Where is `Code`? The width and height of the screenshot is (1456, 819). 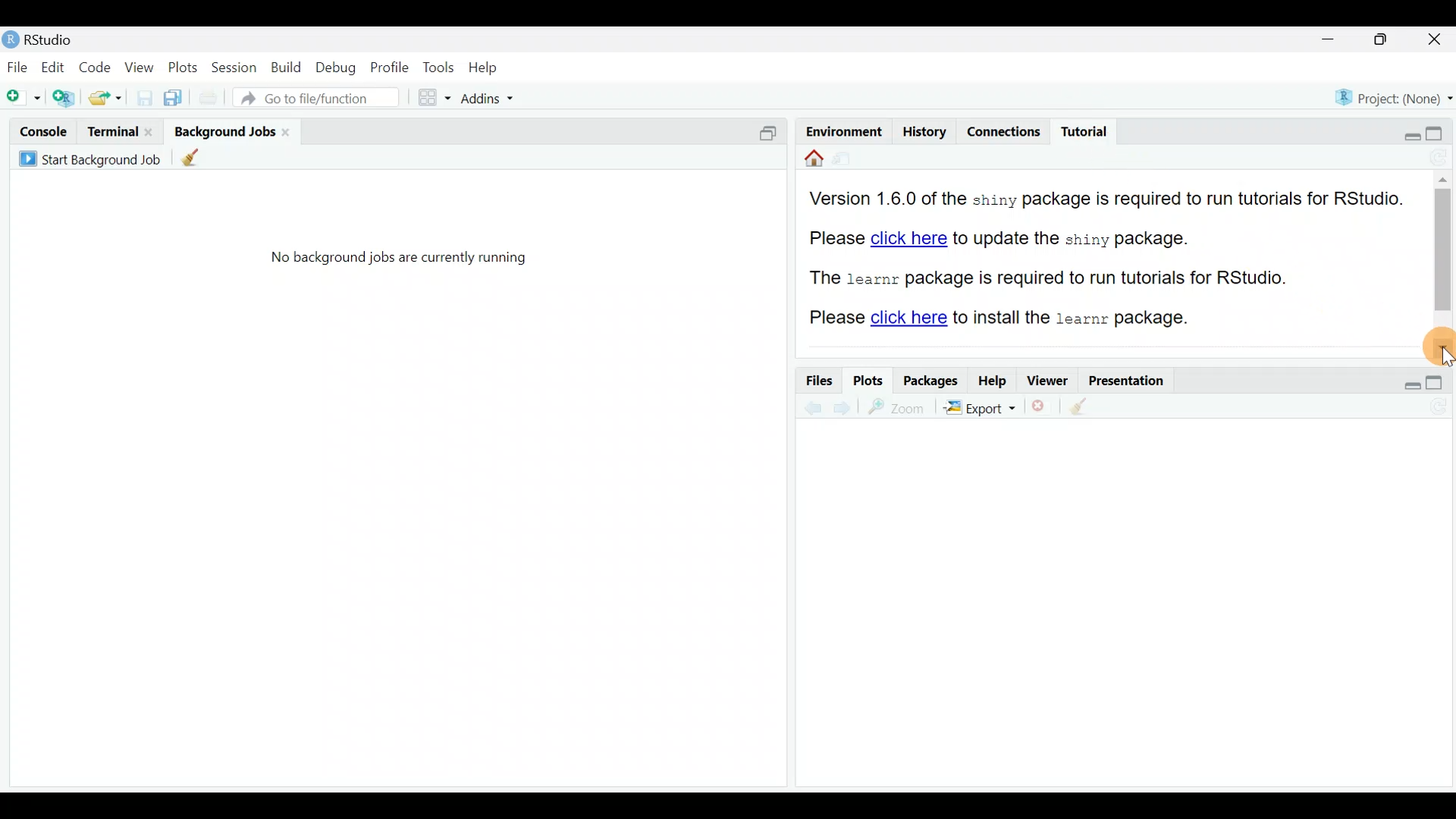
Code is located at coordinates (94, 69).